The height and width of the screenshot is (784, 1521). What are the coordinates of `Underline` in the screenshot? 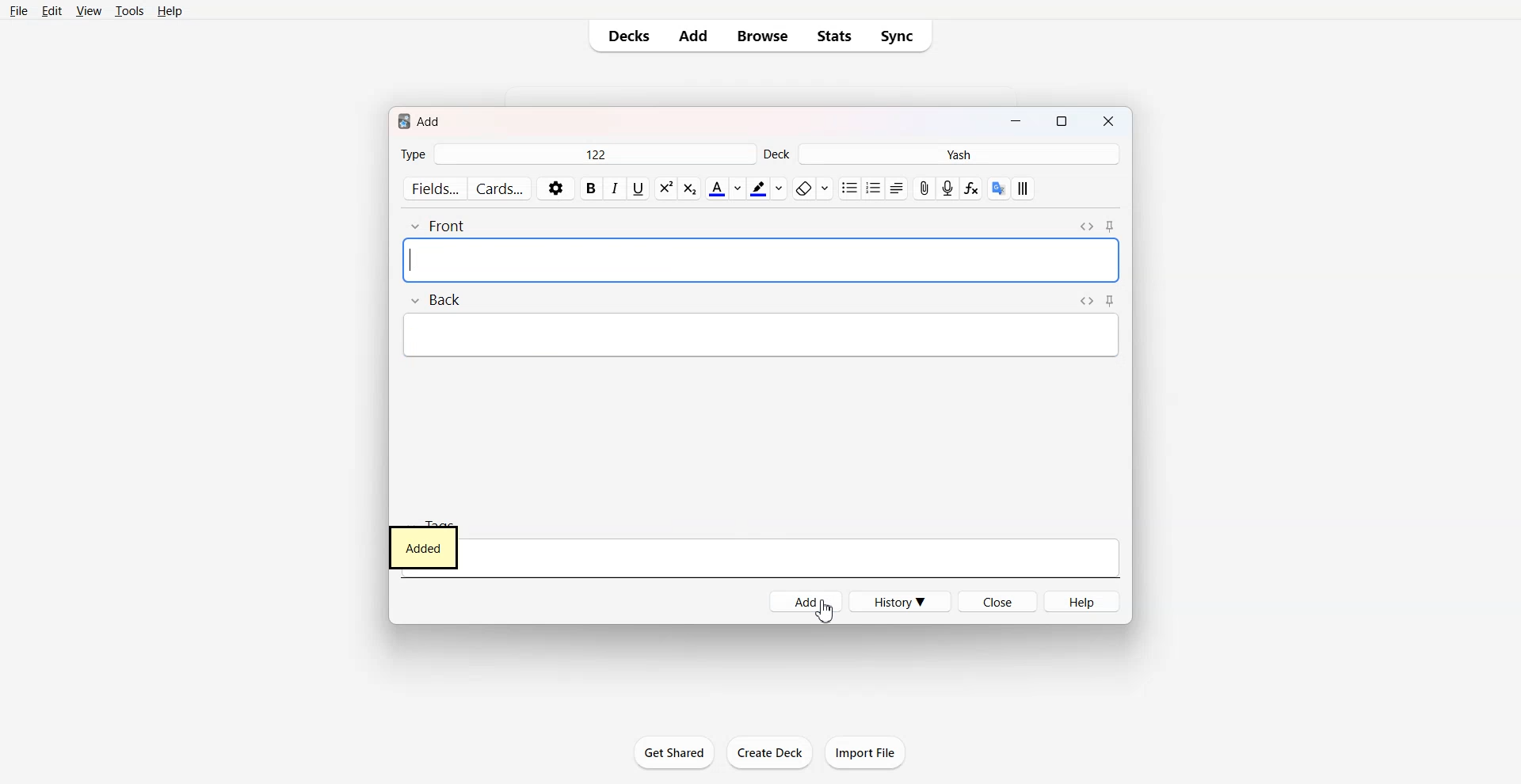 It's located at (638, 188).